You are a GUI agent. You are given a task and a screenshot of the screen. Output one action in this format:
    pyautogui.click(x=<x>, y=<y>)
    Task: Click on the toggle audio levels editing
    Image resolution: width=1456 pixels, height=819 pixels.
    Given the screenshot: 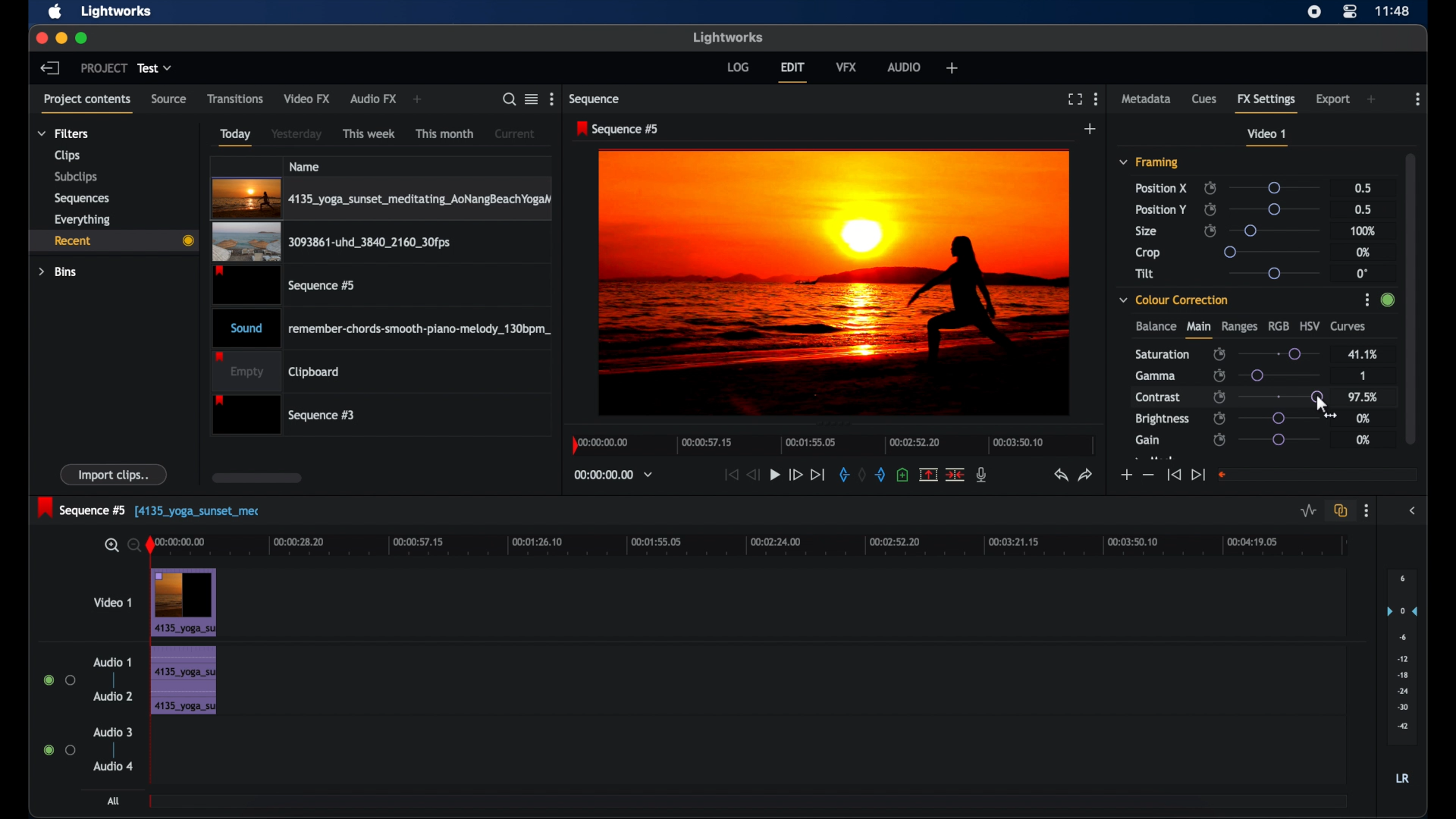 What is the action you would take?
    pyautogui.click(x=1307, y=510)
    